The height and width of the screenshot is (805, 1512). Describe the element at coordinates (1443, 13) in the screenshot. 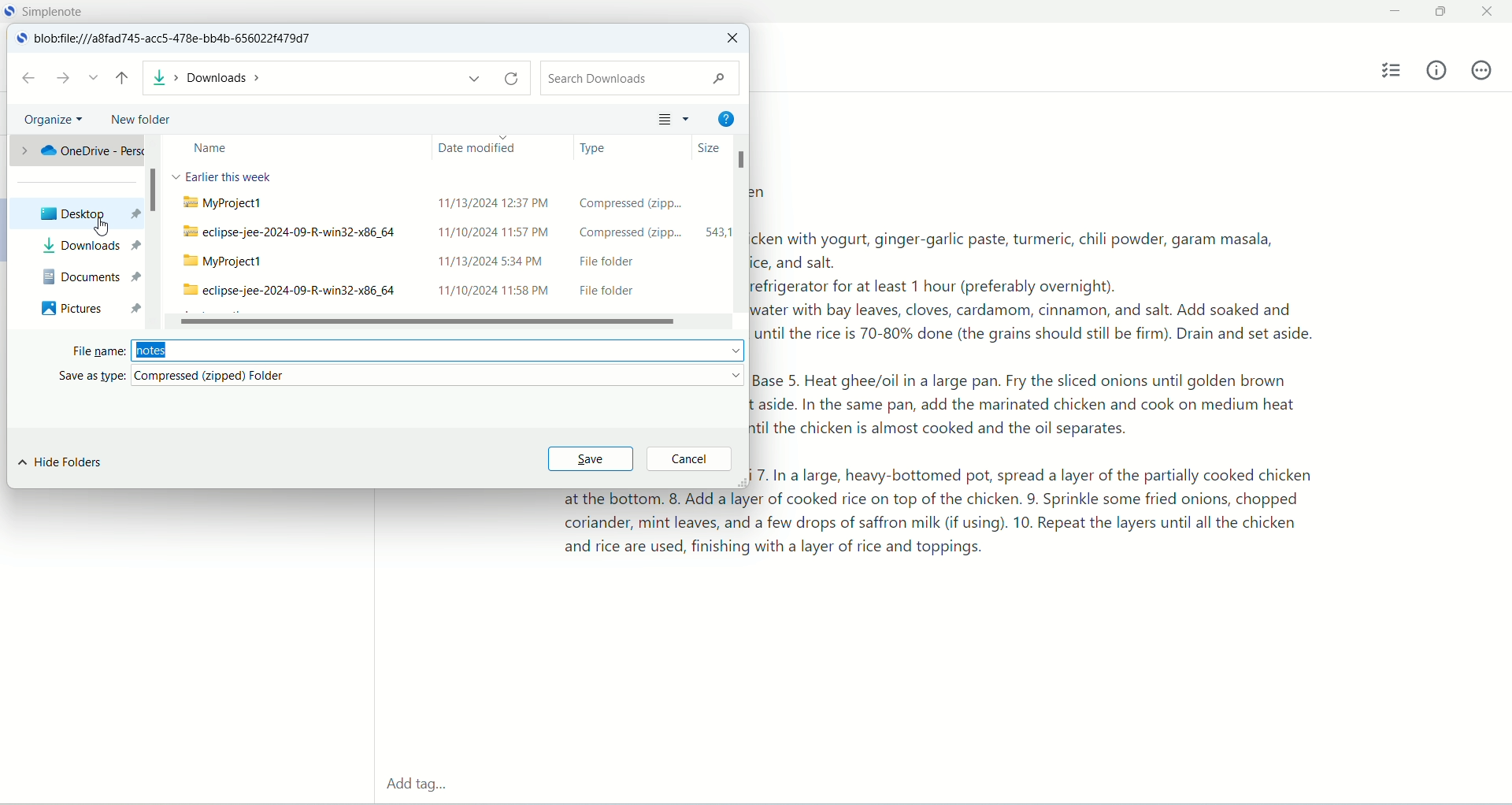

I see `maximize` at that location.